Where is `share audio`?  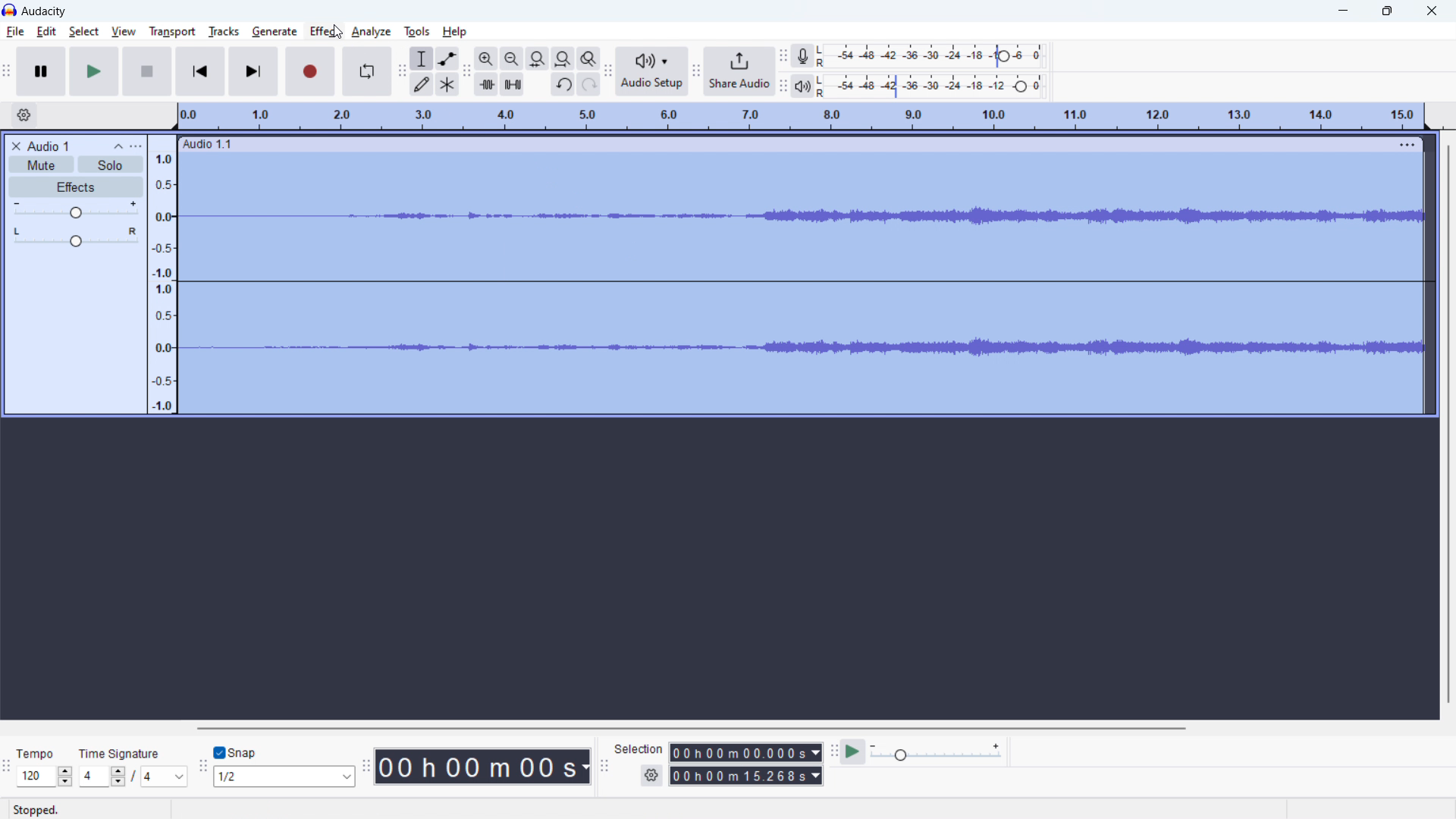
share audio is located at coordinates (740, 71).